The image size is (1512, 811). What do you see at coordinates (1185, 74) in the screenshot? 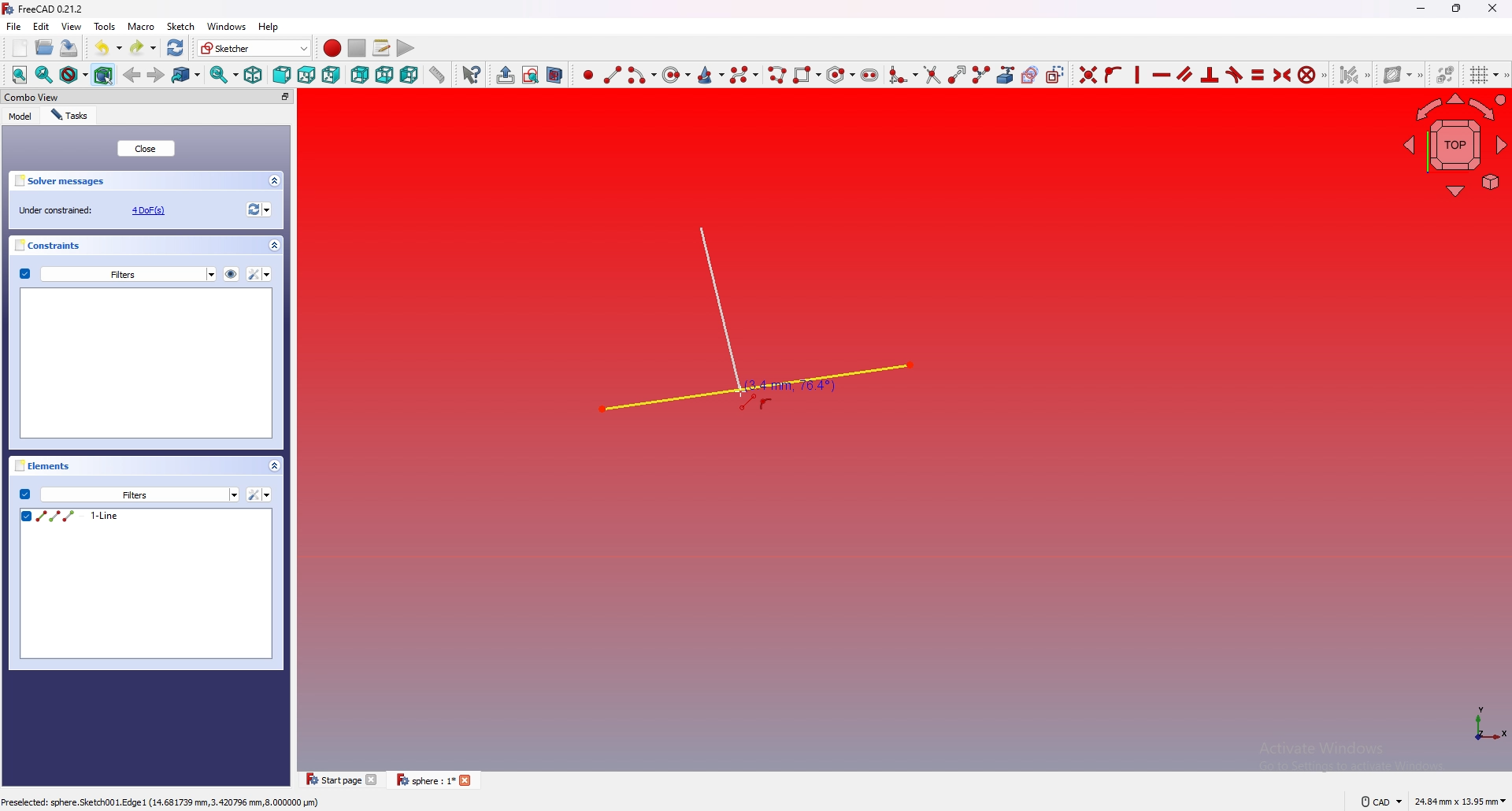
I see `Constrain parallel` at bounding box center [1185, 74].